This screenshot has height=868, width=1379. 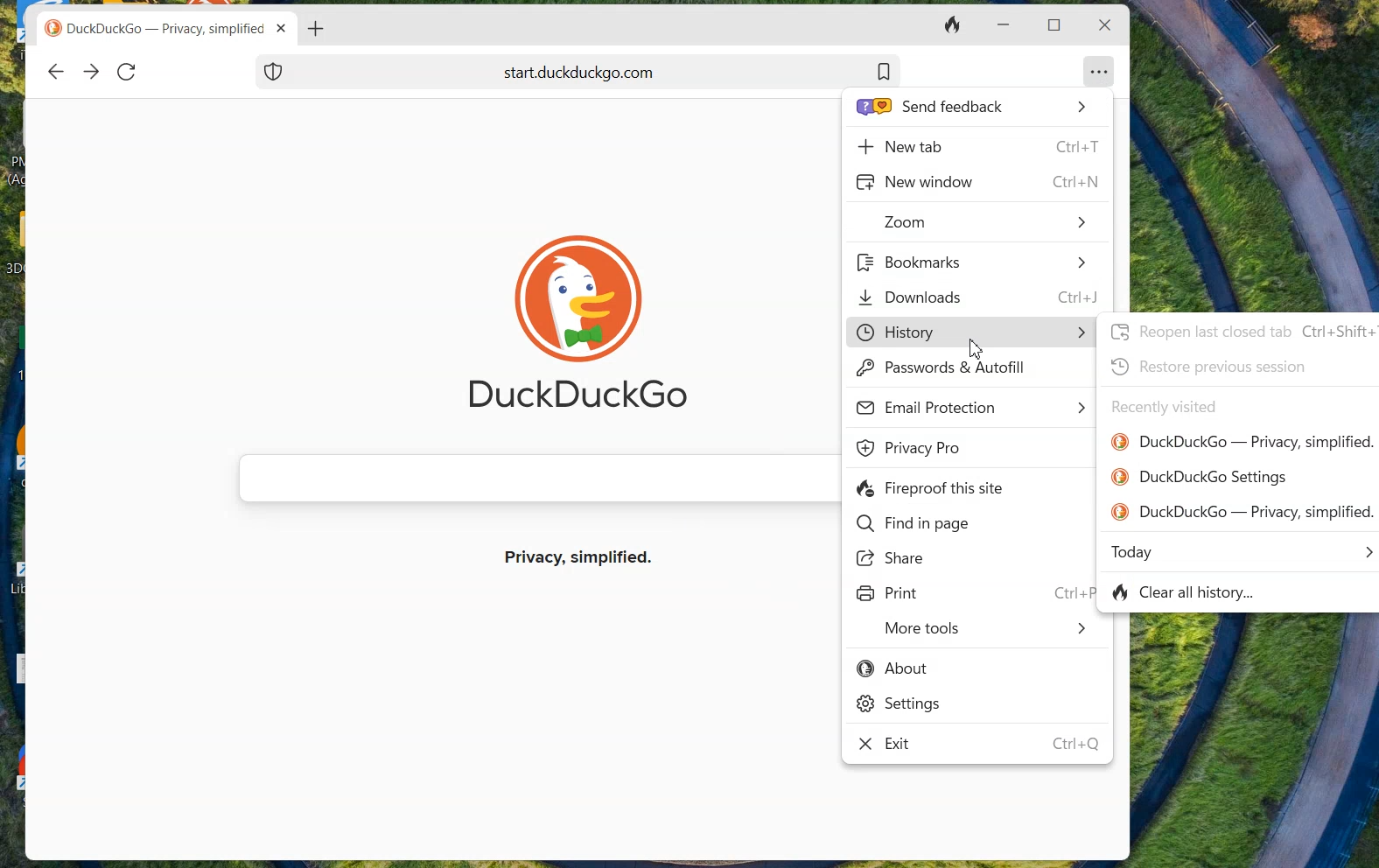 What do you see at coordinates (974, 350) in the screenshot?
I see `cursor` at bounding box center [974, 350].